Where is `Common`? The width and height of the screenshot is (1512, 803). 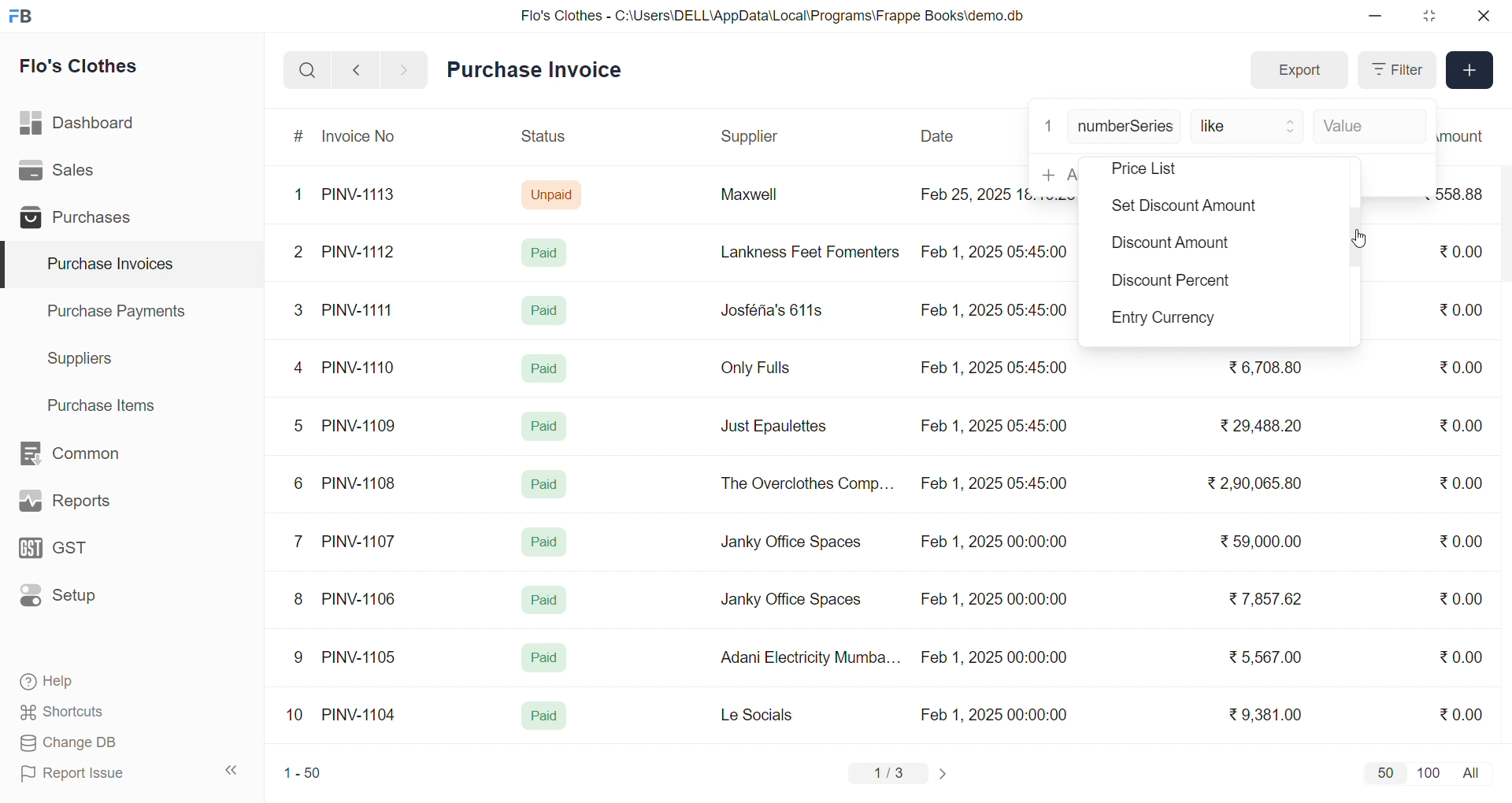
Common is located at coordinates (87, 454).